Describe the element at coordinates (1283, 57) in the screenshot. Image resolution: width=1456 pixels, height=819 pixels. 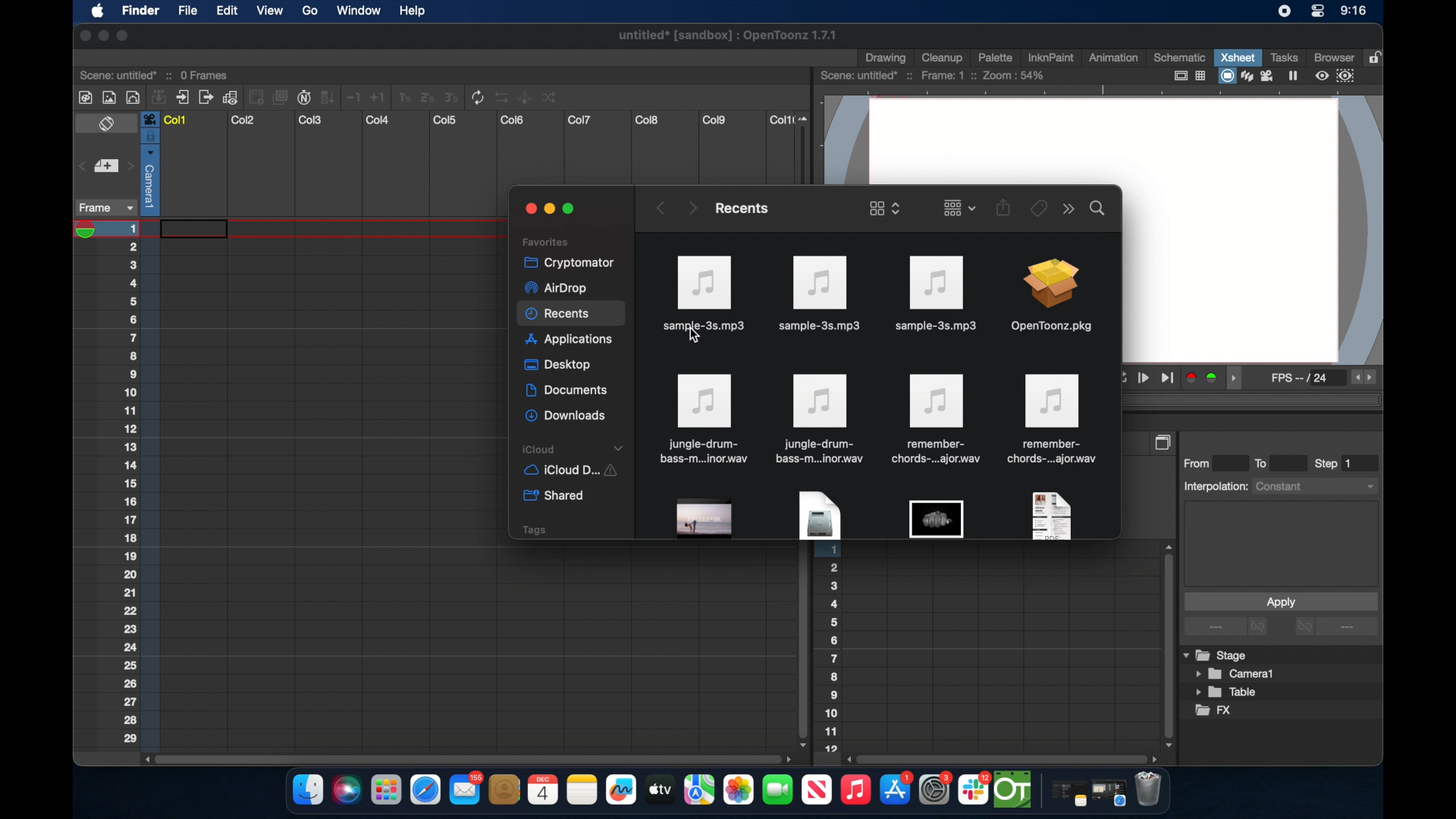
I see `tasks` at that location.